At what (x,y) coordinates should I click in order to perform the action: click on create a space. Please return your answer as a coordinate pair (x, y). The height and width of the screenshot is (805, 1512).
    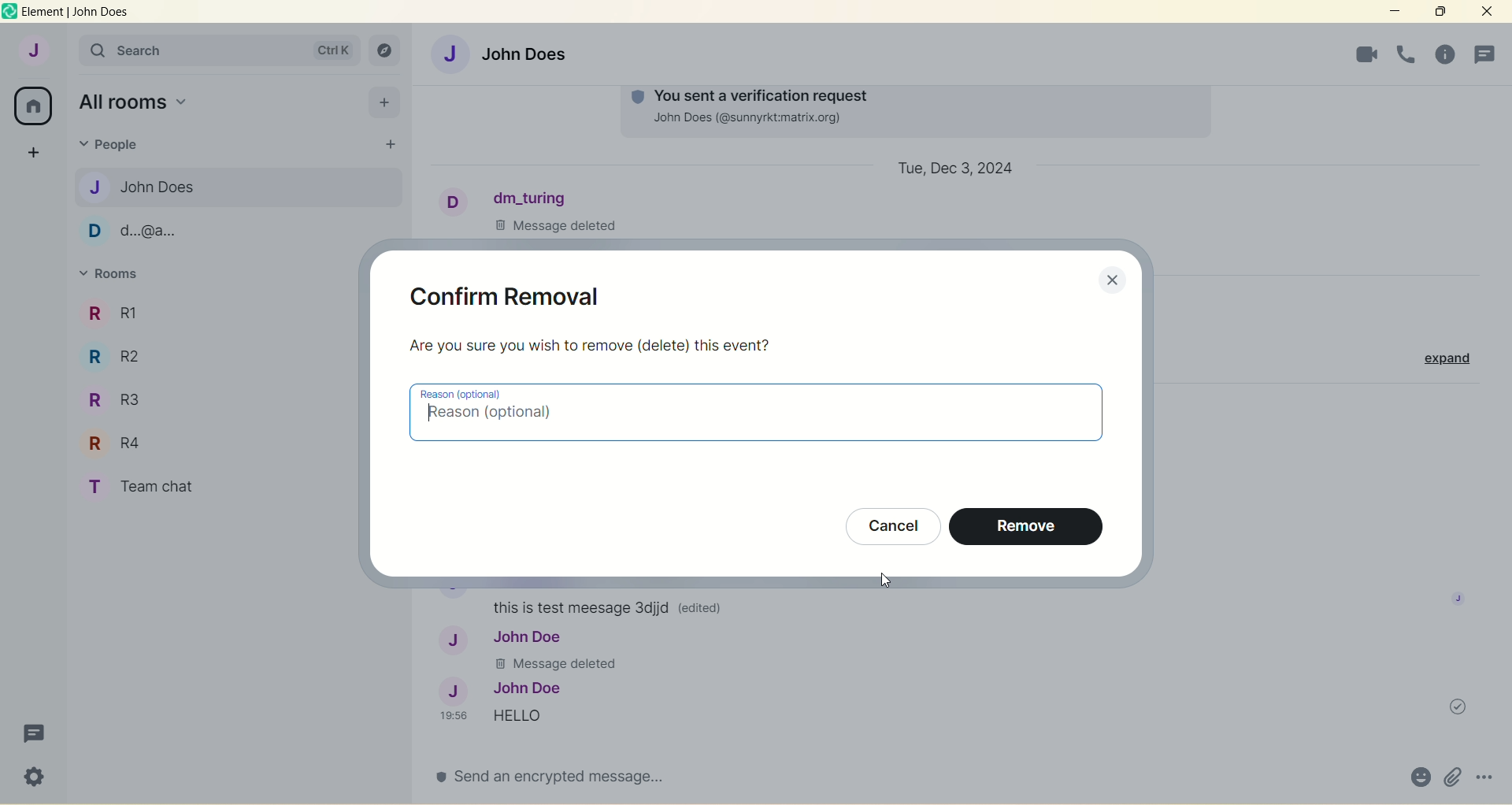
    Looking at the image, I should click on (35, 154).